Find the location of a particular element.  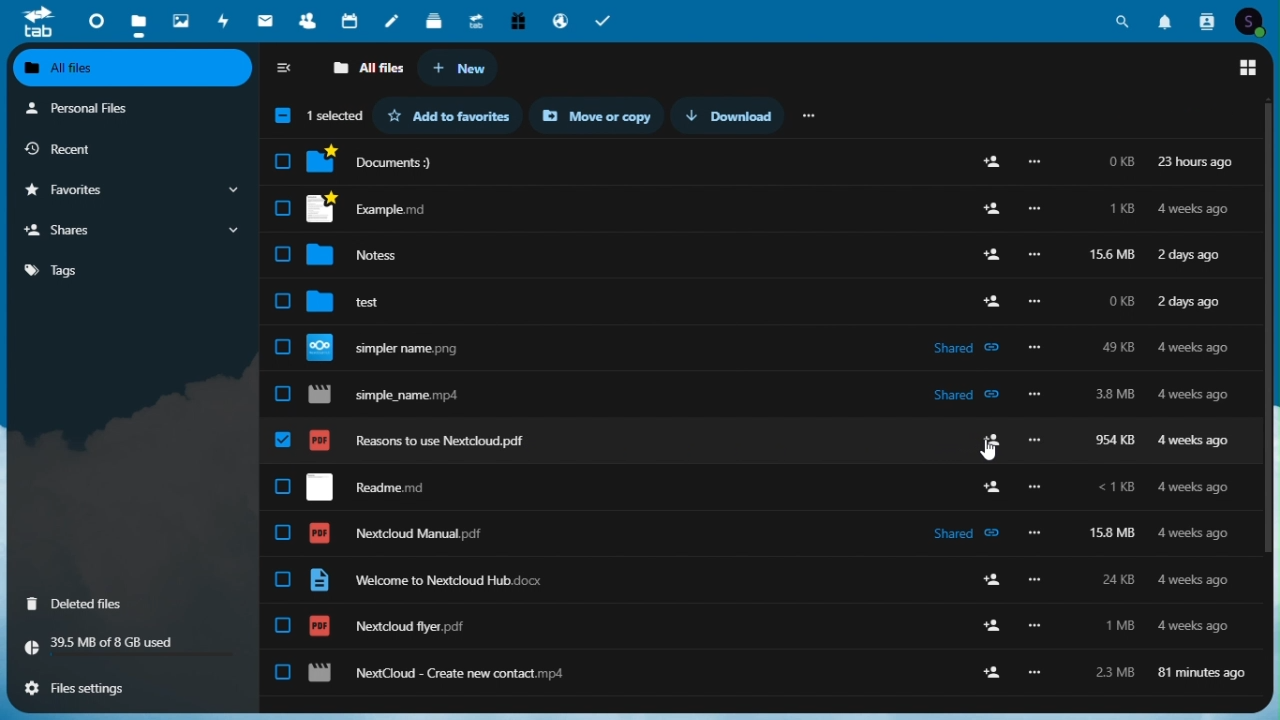

shared is located at coordinates (970, 396).